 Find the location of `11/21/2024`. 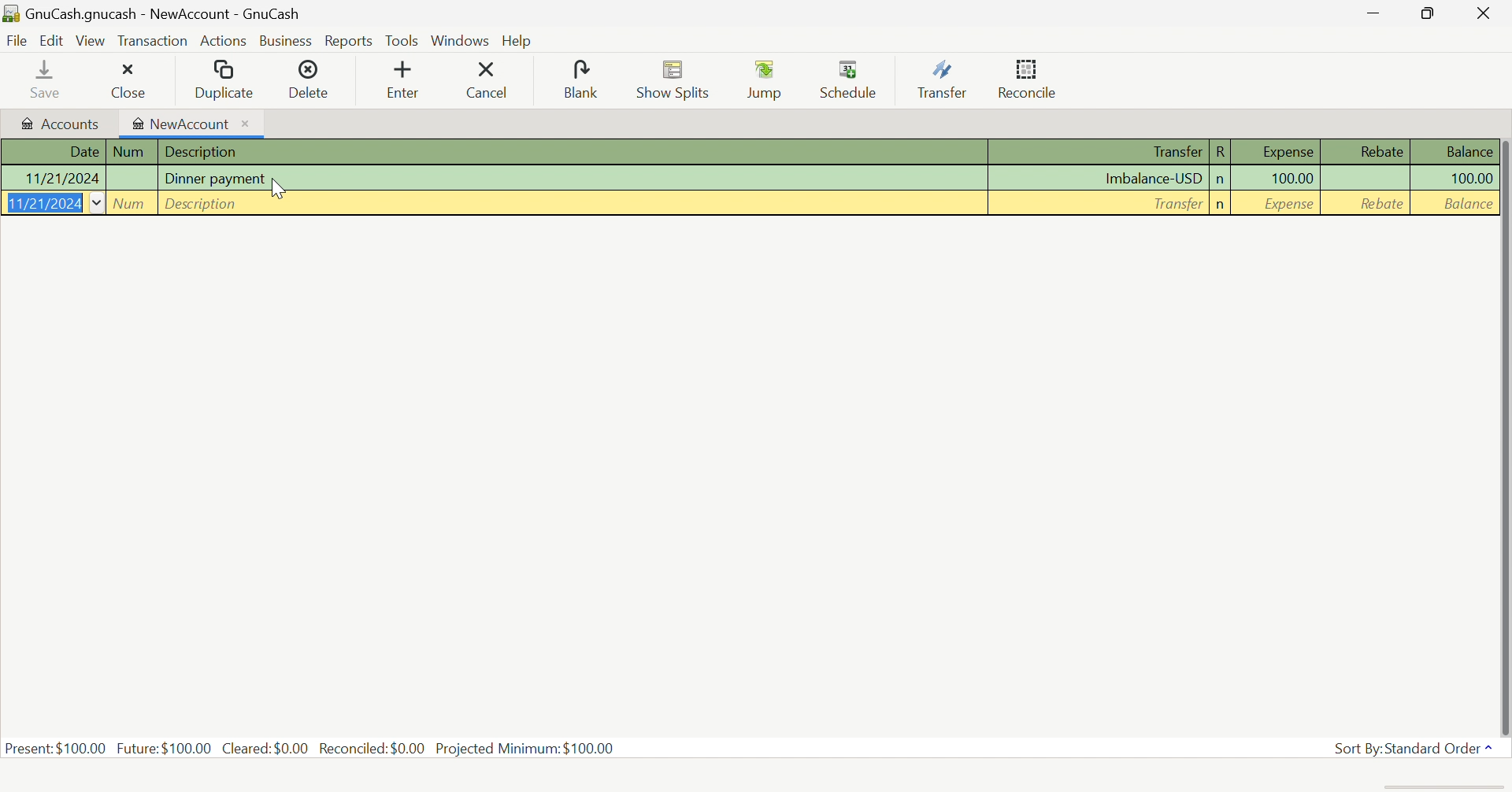

11/21/2024 is located at coordinates (43, 204).